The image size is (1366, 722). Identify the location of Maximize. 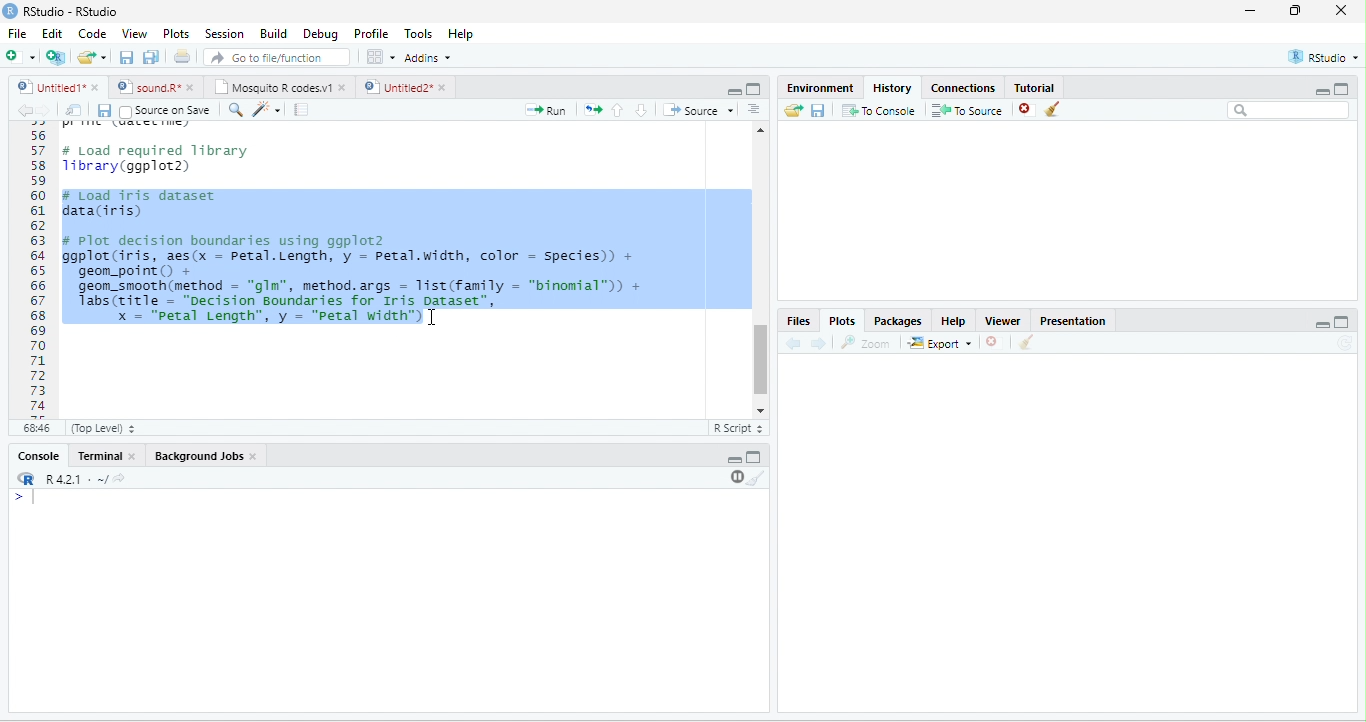
(1341, 322).